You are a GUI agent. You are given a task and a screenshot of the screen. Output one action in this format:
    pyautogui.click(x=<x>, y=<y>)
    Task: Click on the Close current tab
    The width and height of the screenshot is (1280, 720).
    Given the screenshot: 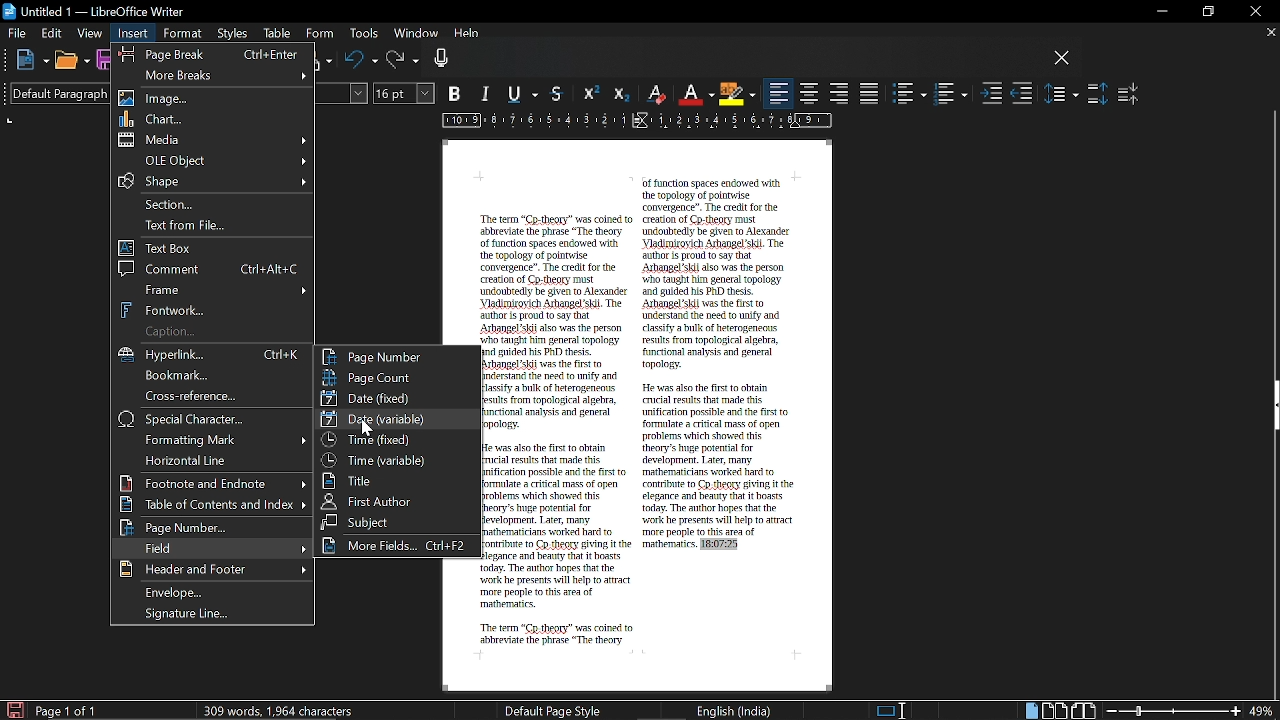 What is the action you would take?
    pyautogui.click(x=1270, y=32)
    